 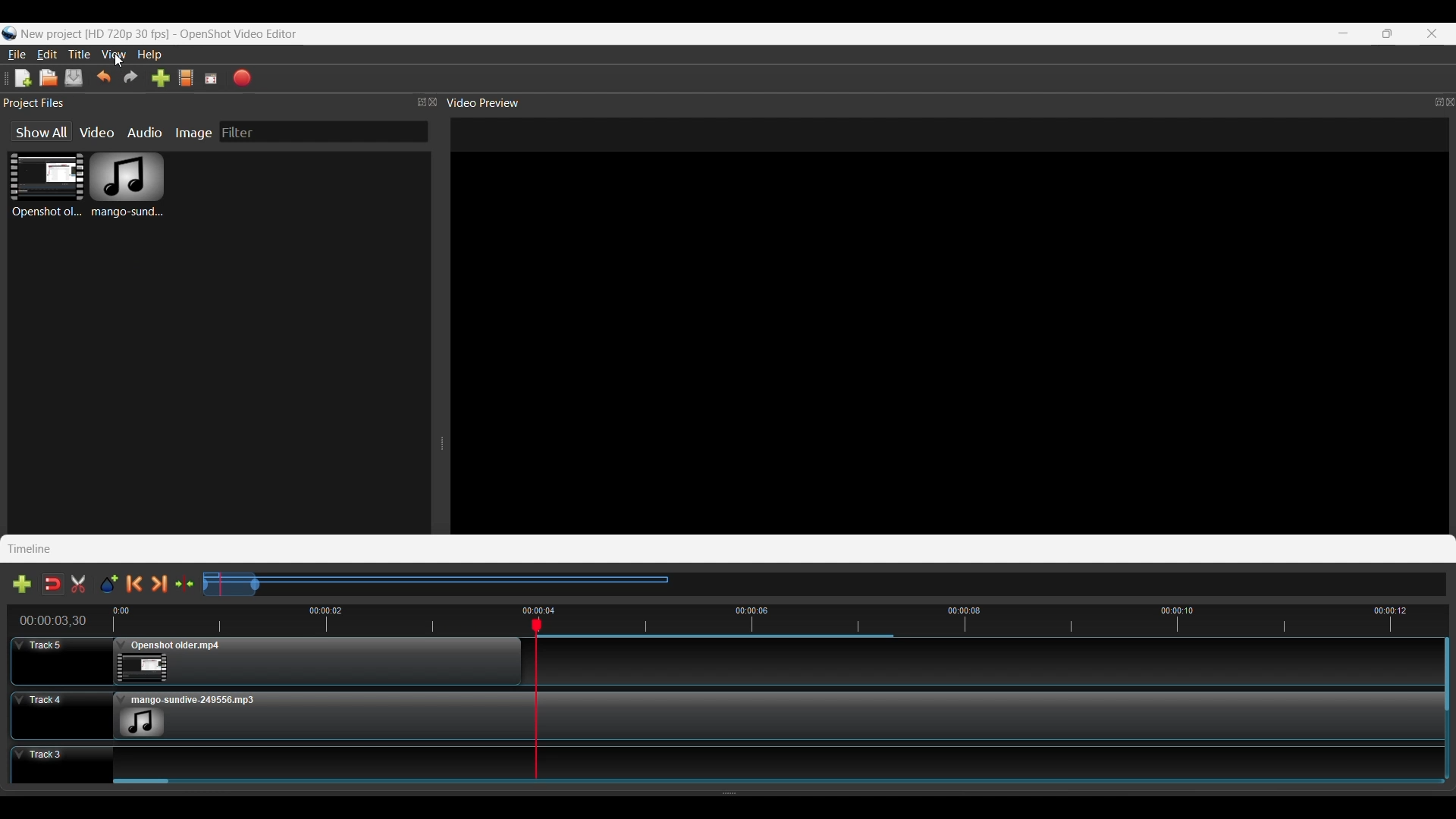 I want to click on Help, so click(x=150, y=54).